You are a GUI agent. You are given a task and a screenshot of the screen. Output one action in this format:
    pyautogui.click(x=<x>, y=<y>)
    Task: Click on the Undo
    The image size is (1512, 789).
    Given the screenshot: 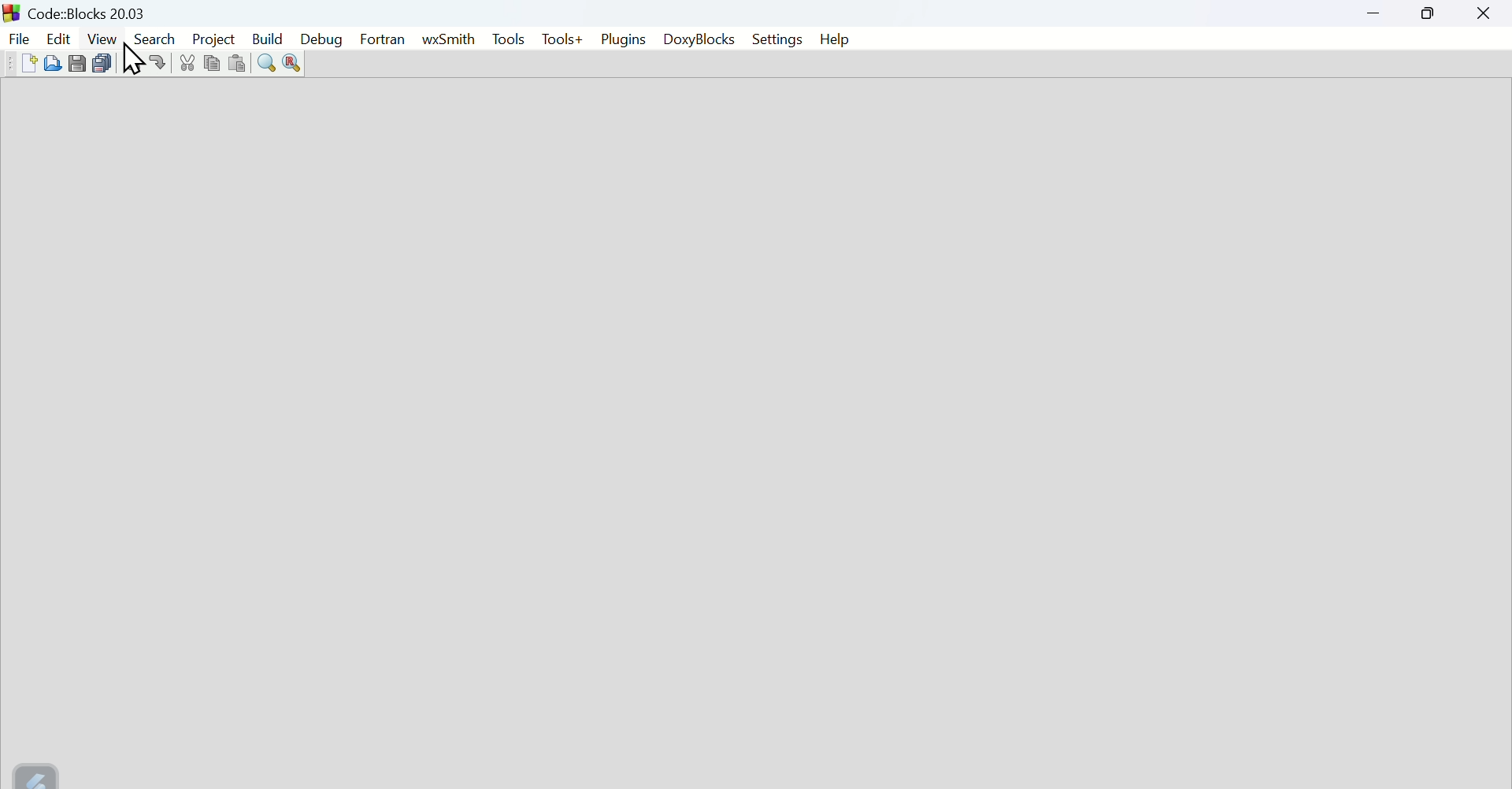 What is the action you would take?
    pyautogui.click(x=132, y=62)
    